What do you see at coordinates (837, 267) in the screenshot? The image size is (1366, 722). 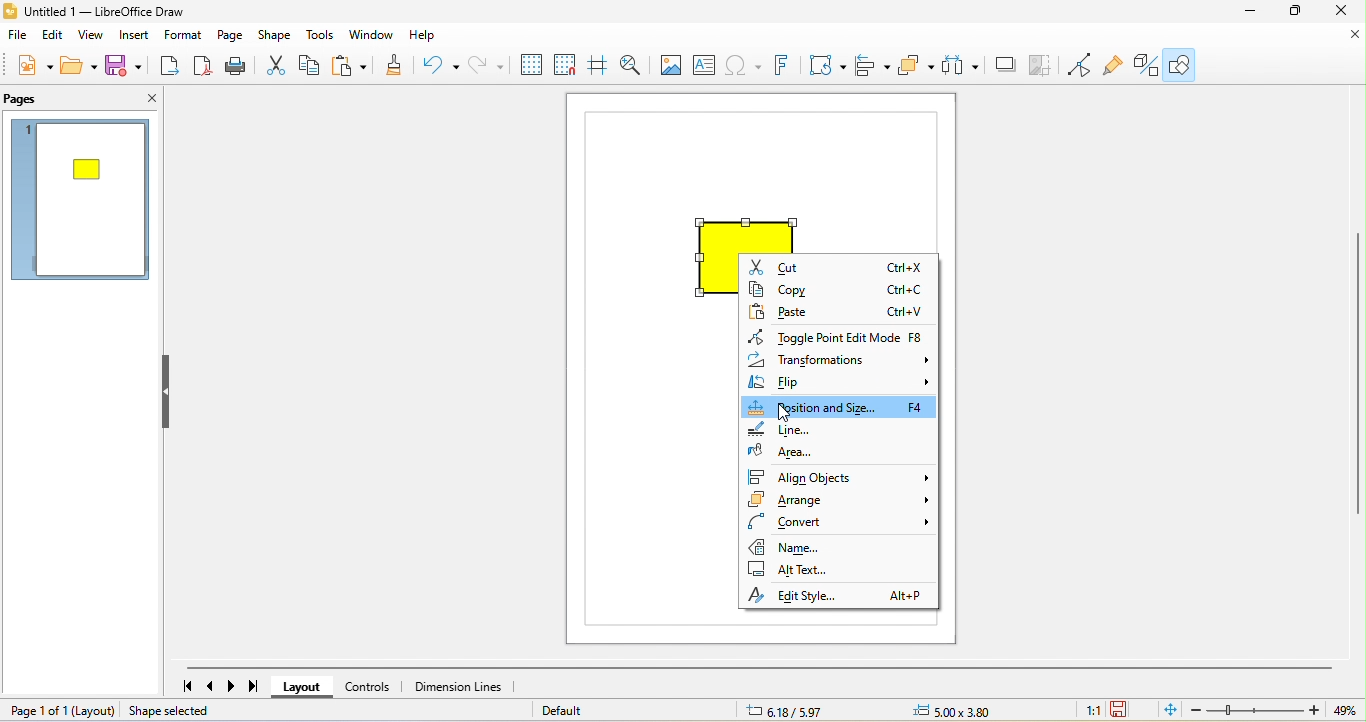 I see `cut` at bounding box center [837, 267].